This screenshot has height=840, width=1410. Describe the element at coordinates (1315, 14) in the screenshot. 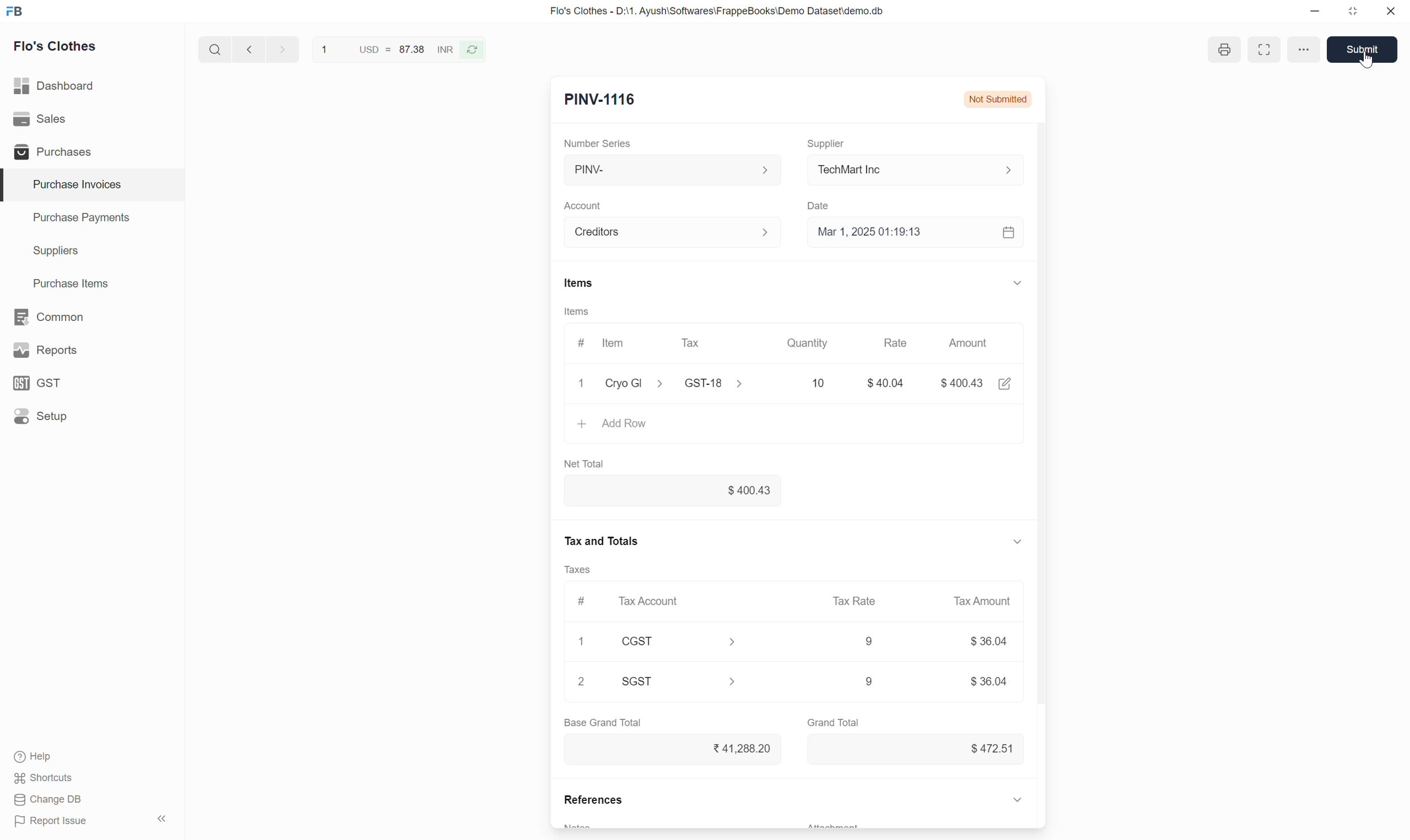

I see `minimize` at that location.